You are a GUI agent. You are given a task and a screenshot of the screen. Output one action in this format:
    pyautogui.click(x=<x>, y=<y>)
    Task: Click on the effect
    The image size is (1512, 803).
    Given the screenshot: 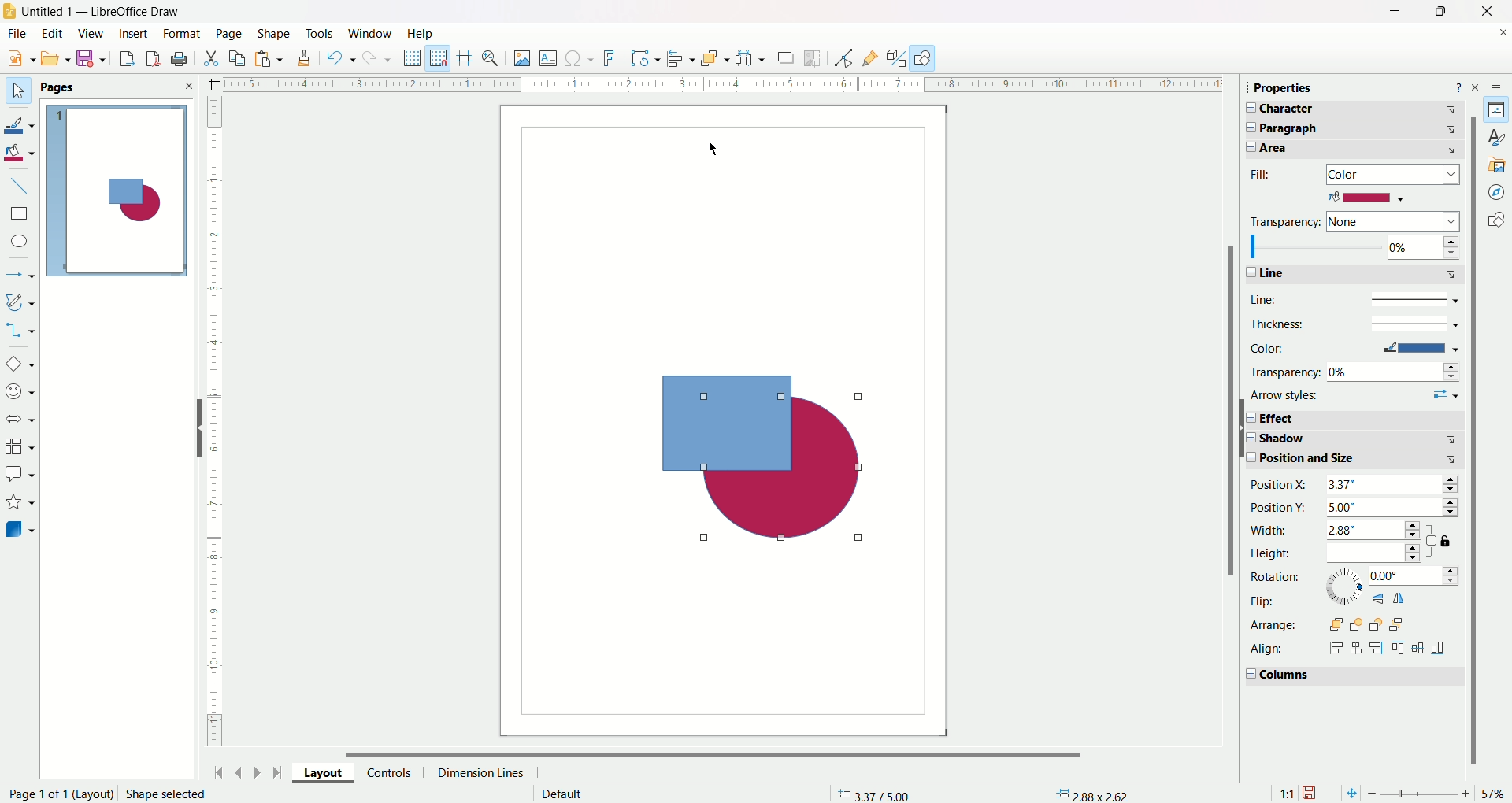 What is the action you would take?
    pyautogui.click(x=1354, y=418)
    